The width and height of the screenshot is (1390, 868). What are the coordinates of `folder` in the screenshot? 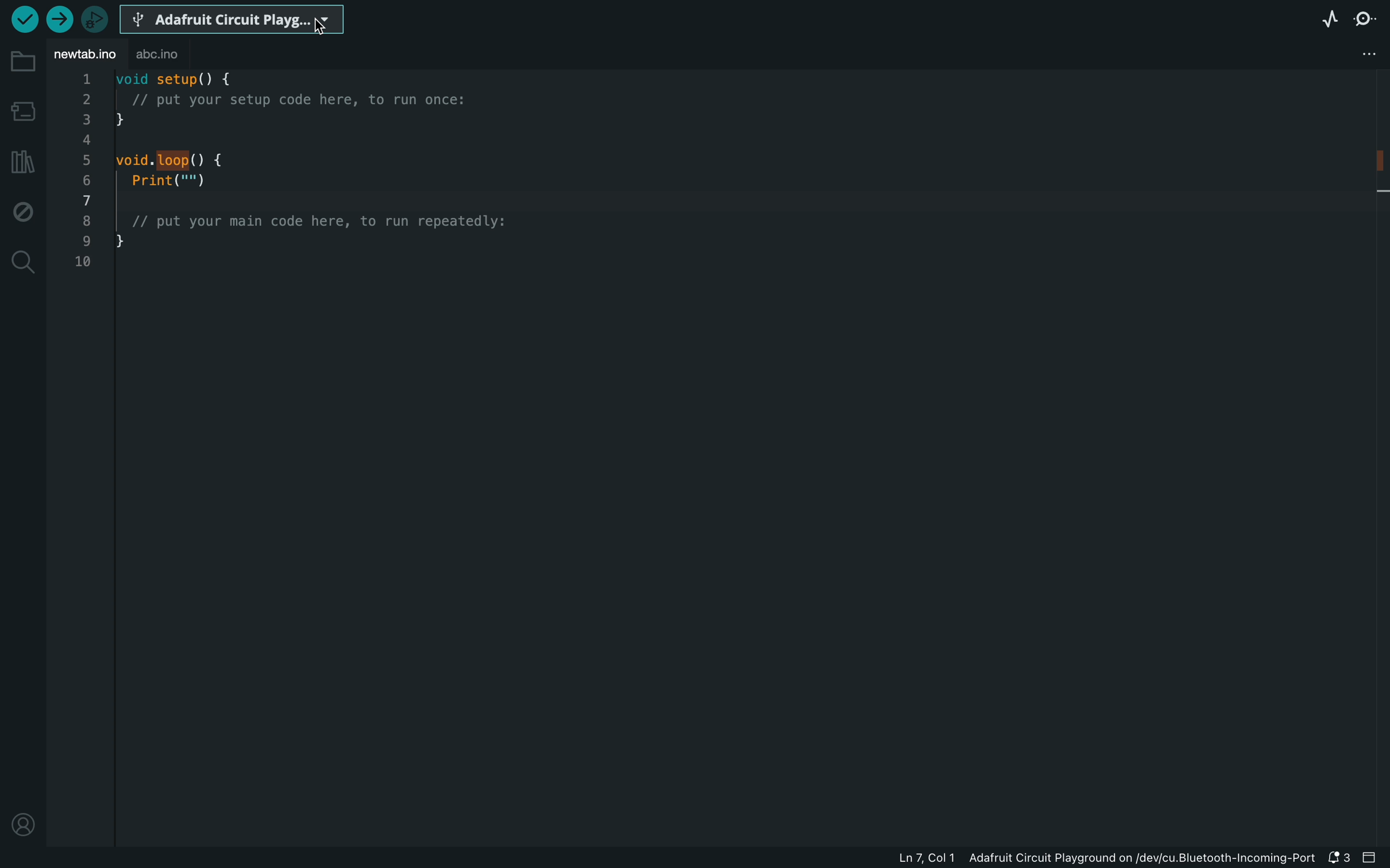 It's located at (25, 61).